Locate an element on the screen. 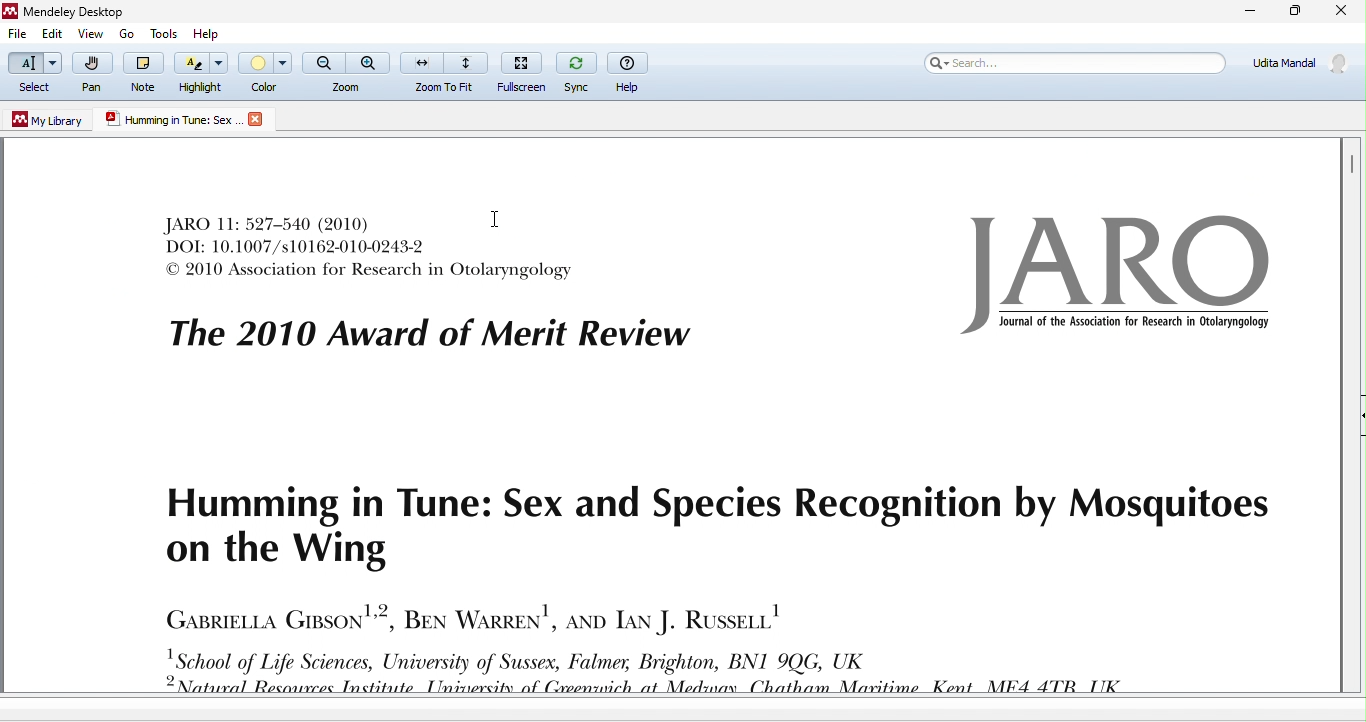  help is located at coordinates (632, 73).